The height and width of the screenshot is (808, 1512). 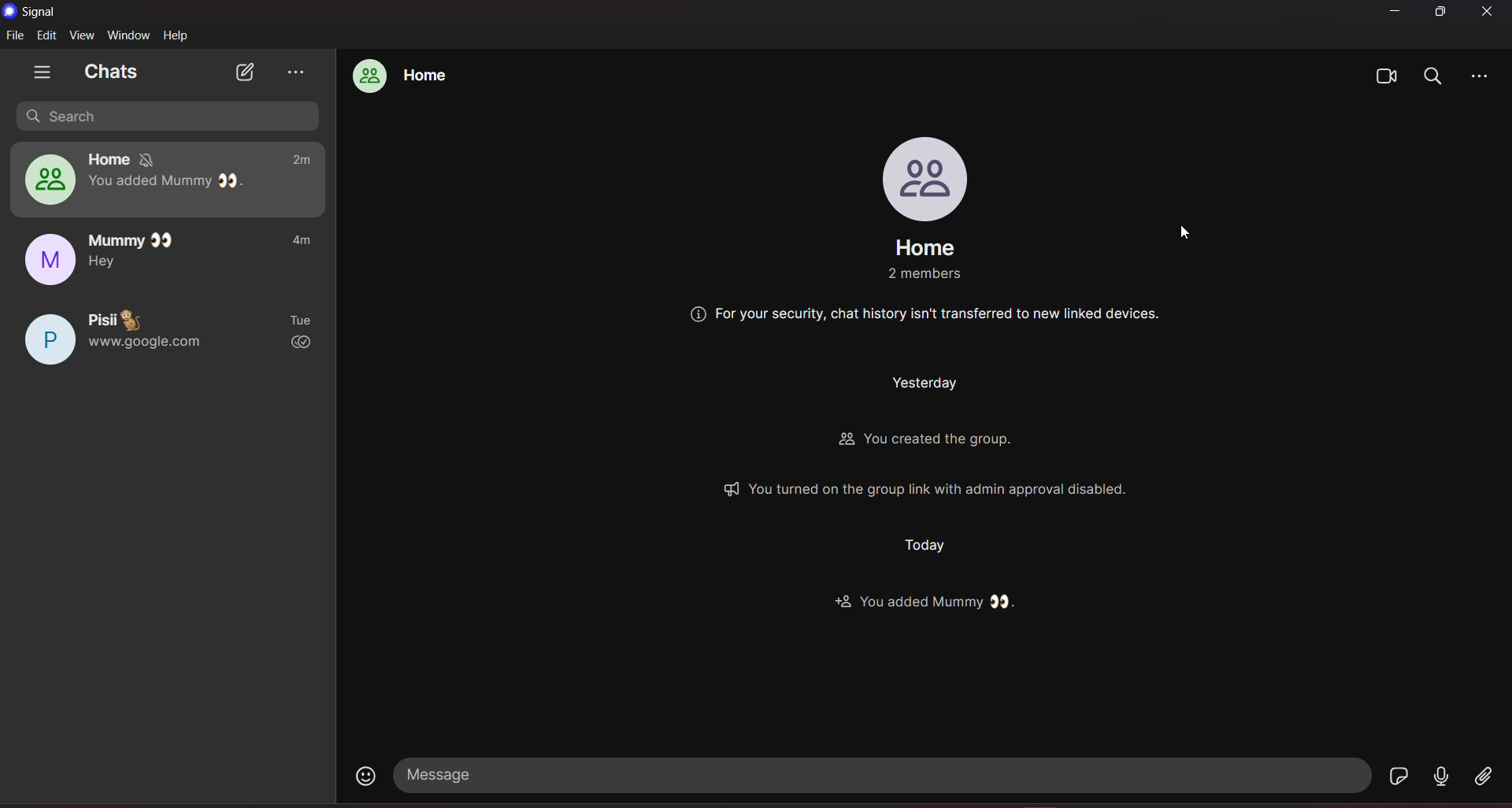 I want to click on show tabs, so click(x=41, y=72).